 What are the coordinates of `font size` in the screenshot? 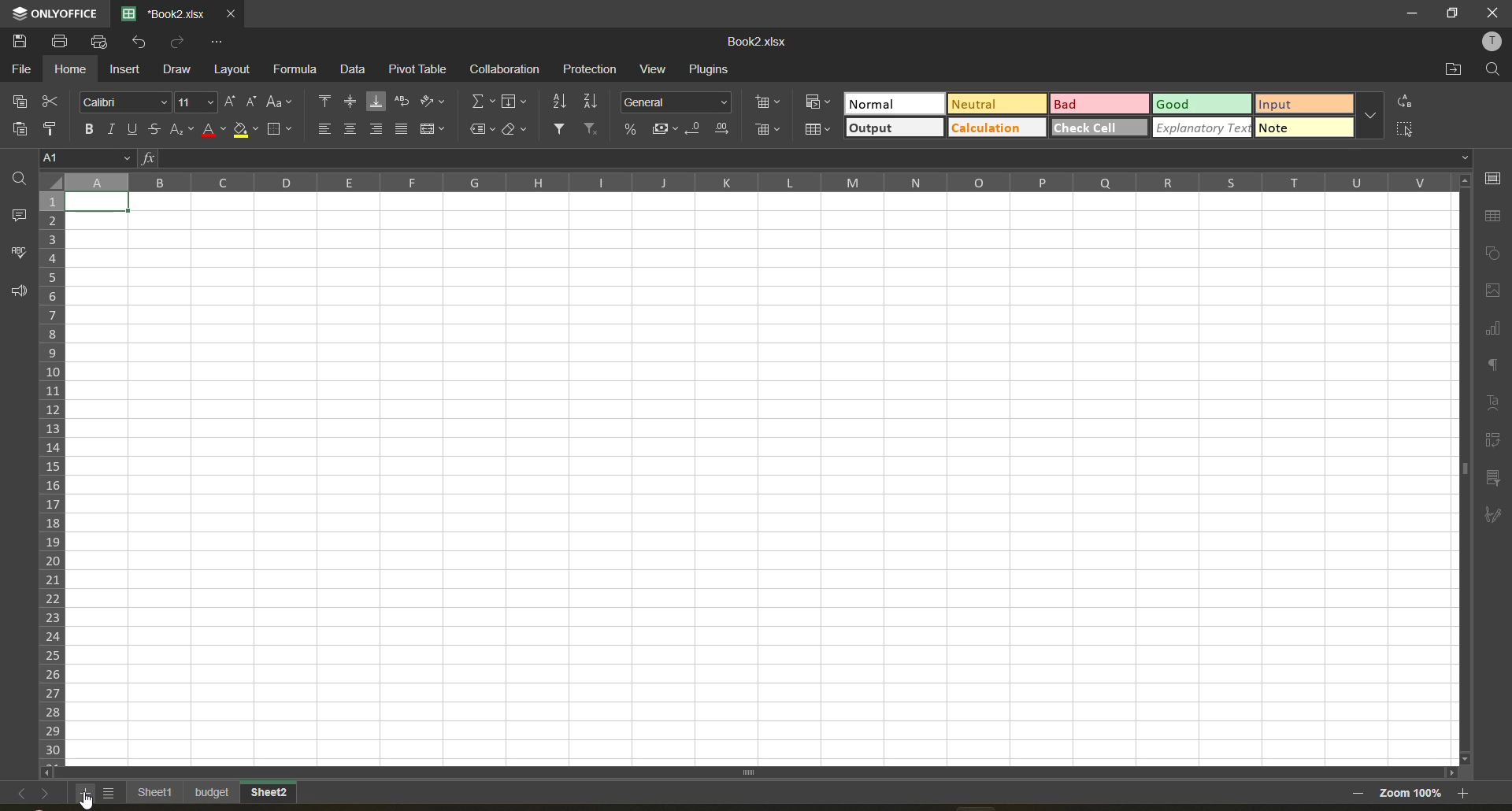 It's located at (195, 102).